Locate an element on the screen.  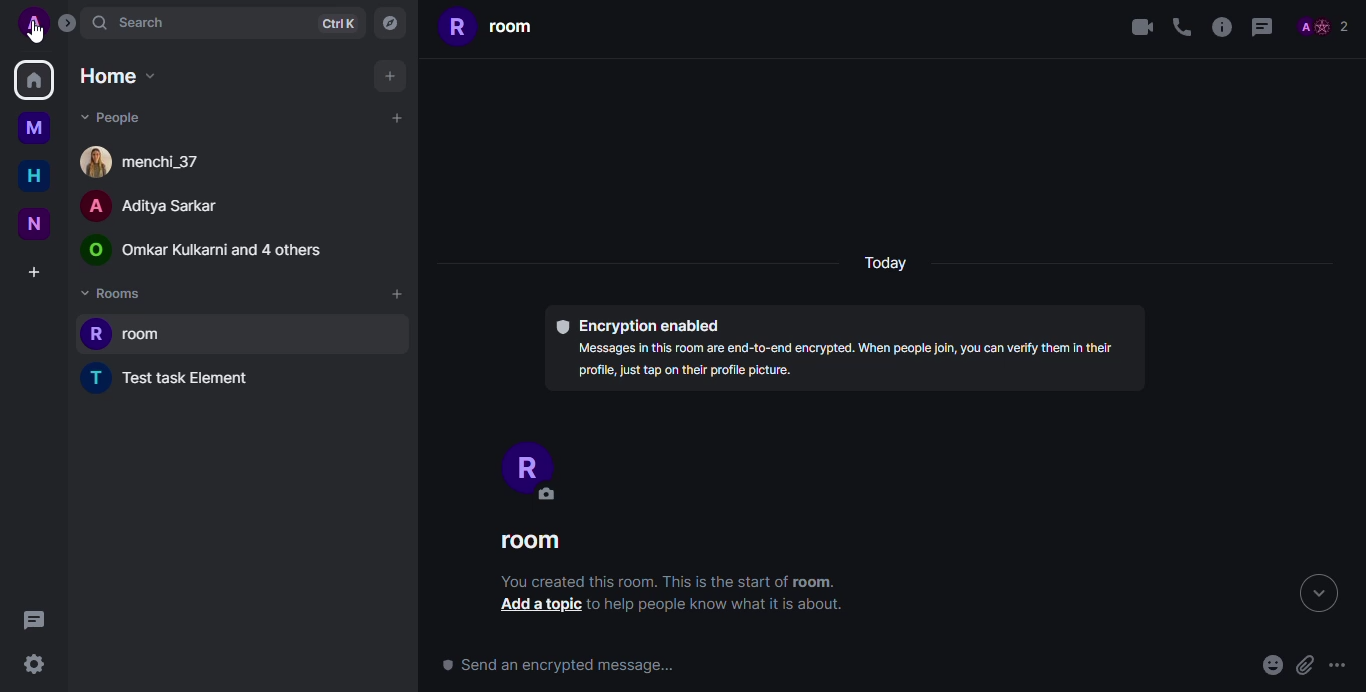
send an encrypted message is located at coordinates (559, 667).